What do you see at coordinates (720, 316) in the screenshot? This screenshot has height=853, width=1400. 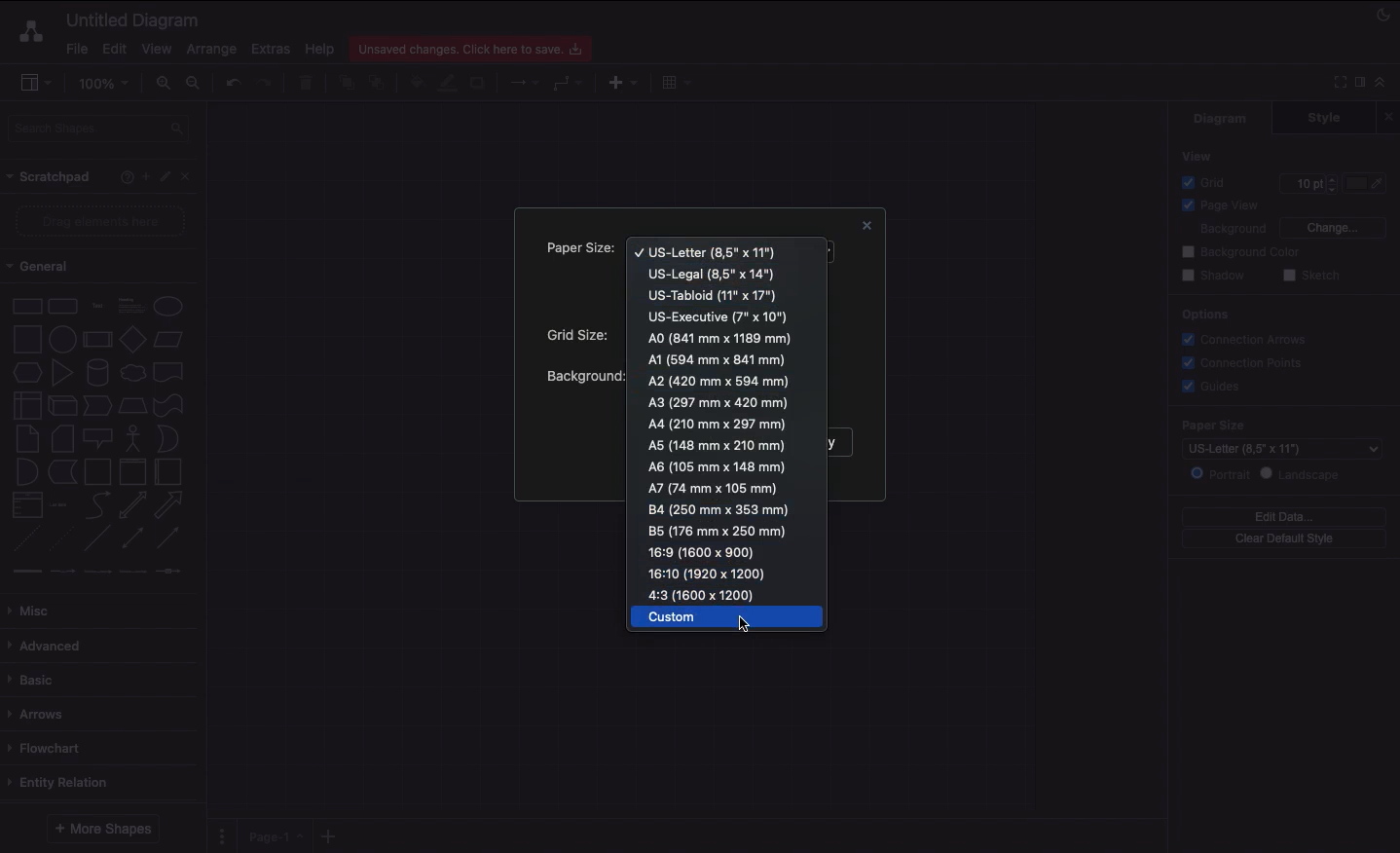 I see `US-executive` at bounding box center [720, 316].